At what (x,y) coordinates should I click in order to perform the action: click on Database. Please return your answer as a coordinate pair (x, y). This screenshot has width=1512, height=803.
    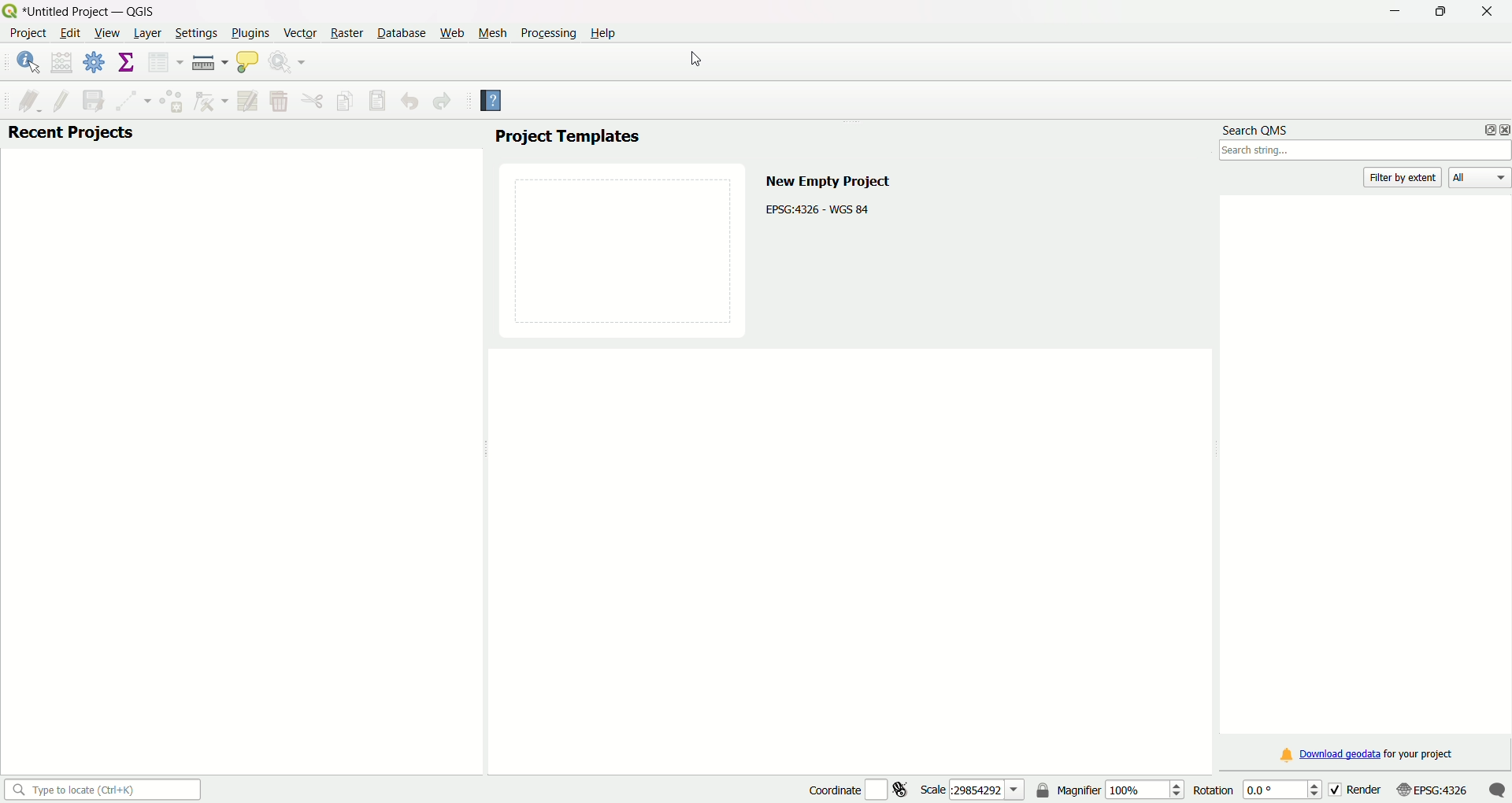
    Looking at the image, I should click on (401, 33).